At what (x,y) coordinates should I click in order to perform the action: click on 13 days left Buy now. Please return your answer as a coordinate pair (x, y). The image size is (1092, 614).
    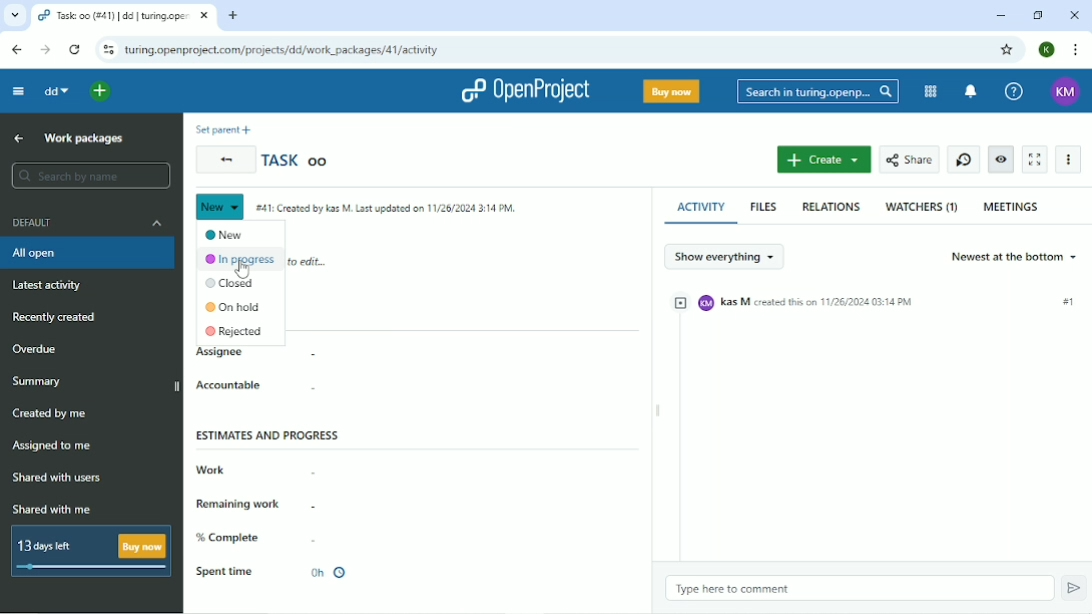
    Looking at the image, I should click on (90, 551).